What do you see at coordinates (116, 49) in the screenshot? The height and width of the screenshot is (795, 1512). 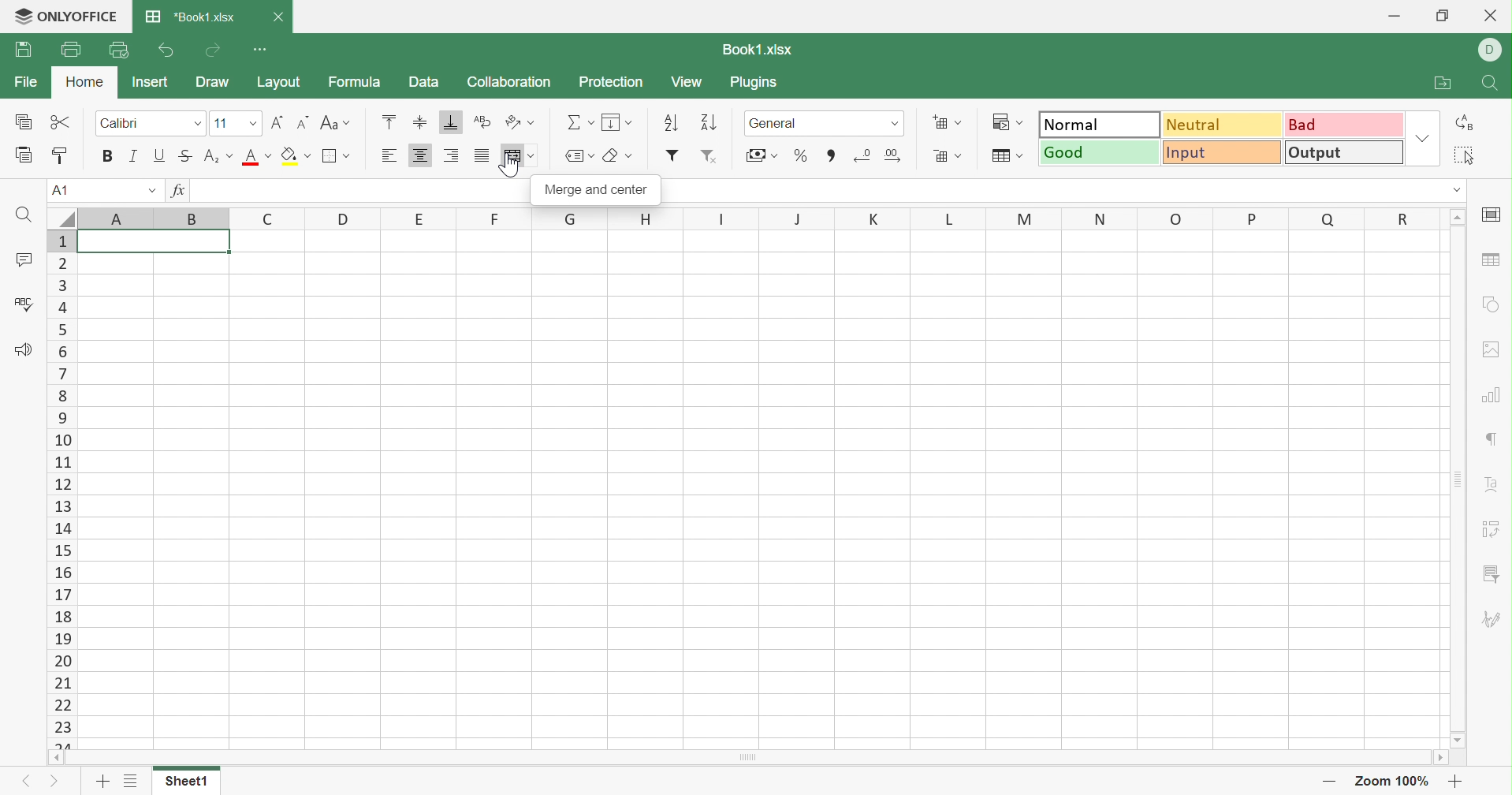 I see `Quick Print` at bounding box center [116, 49].